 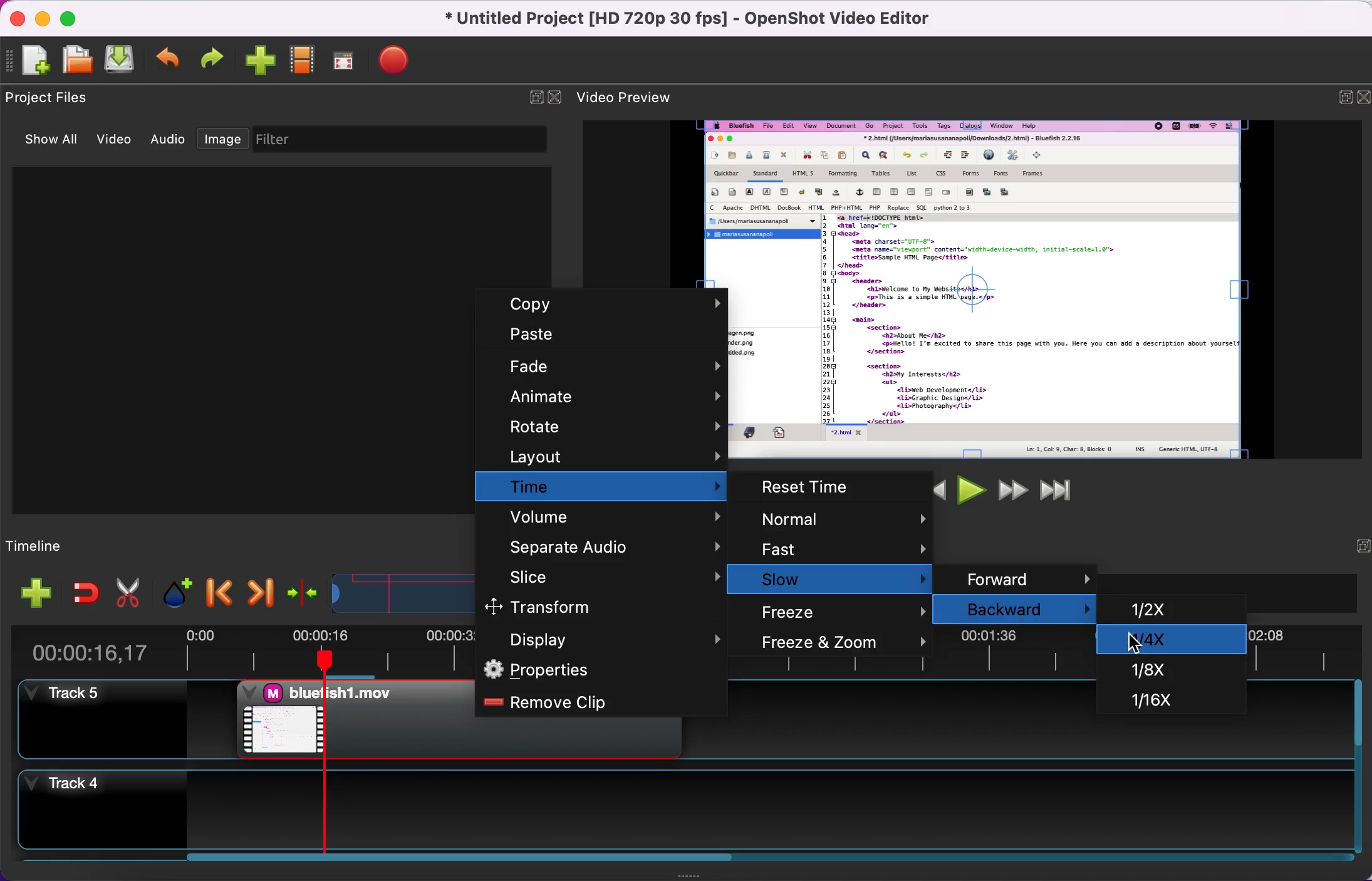 What do you see at coordinates (390, 590) in the screenshot?
I see `timeline` at bounding box center [390, 590].